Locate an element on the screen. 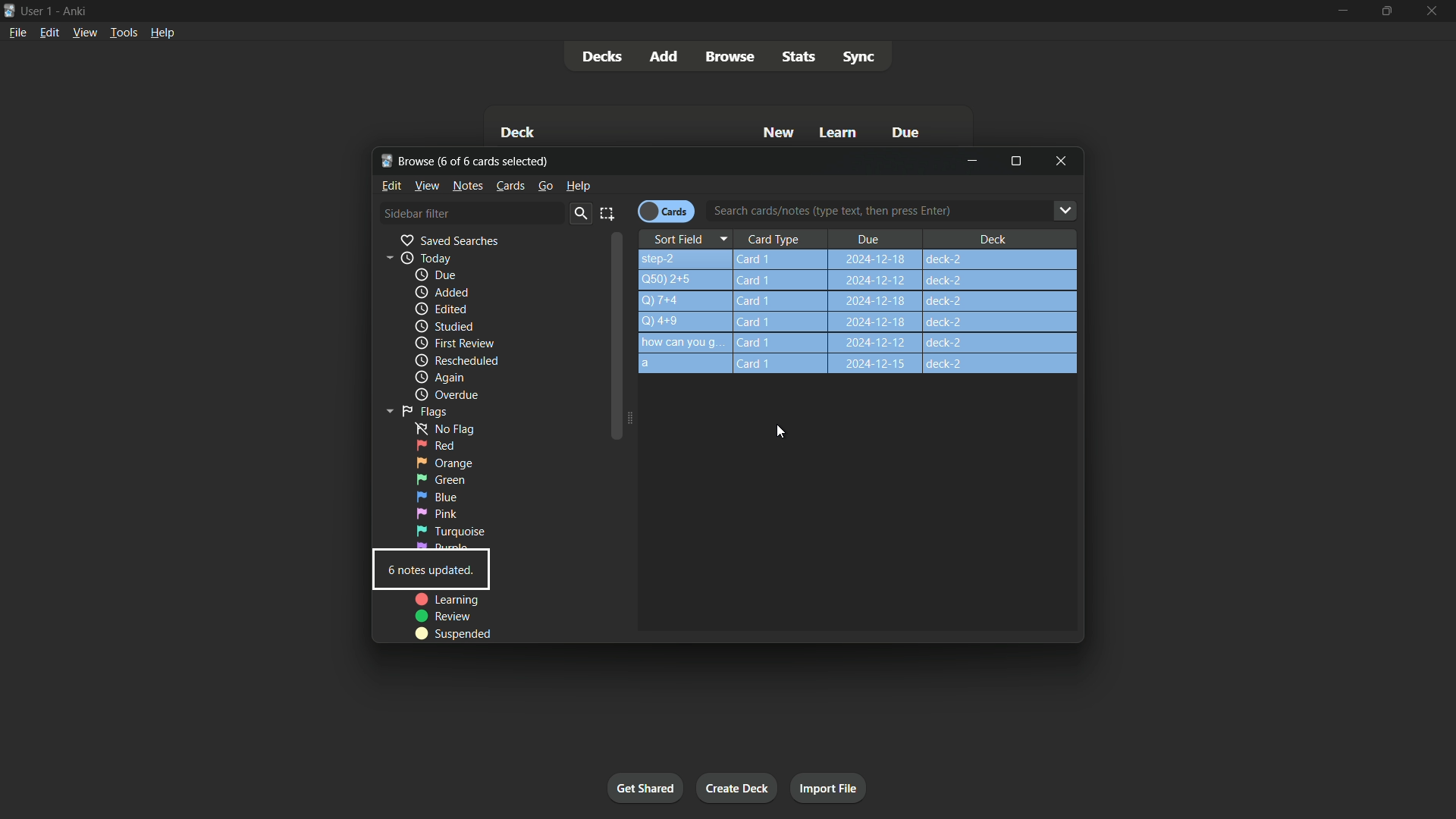 Image resolution: width=1456 pixels, height=819 pixels. Decks is located at coordinates (603, 57).